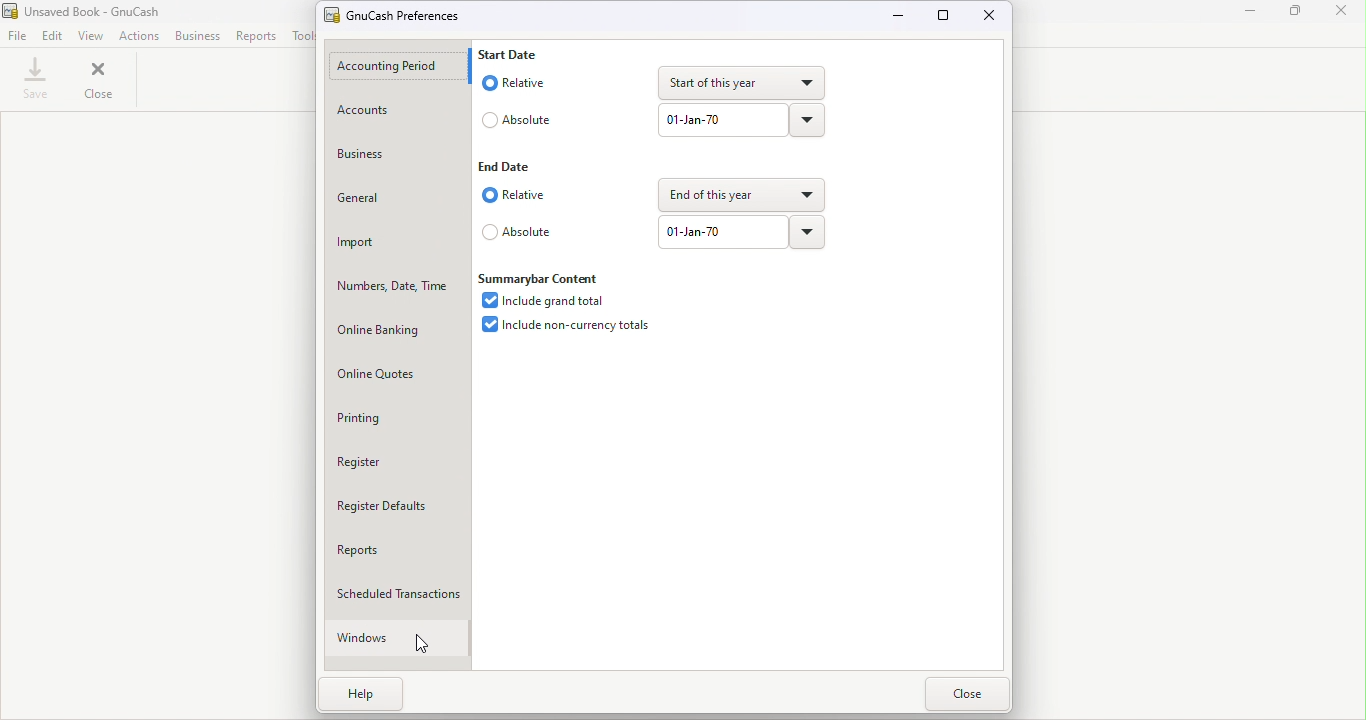  What do you see at coordinates (512, 56) in the screenshot?
I see `start date` at bounding box center [512, 56].